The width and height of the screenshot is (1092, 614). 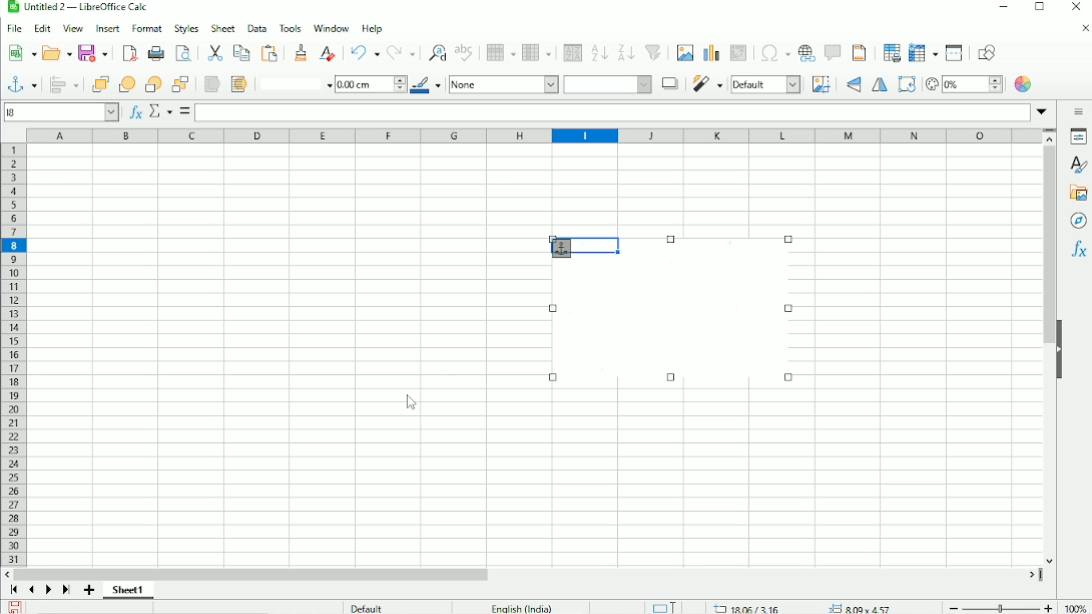 I want to click on Define print area, so click(x=892, y=51).